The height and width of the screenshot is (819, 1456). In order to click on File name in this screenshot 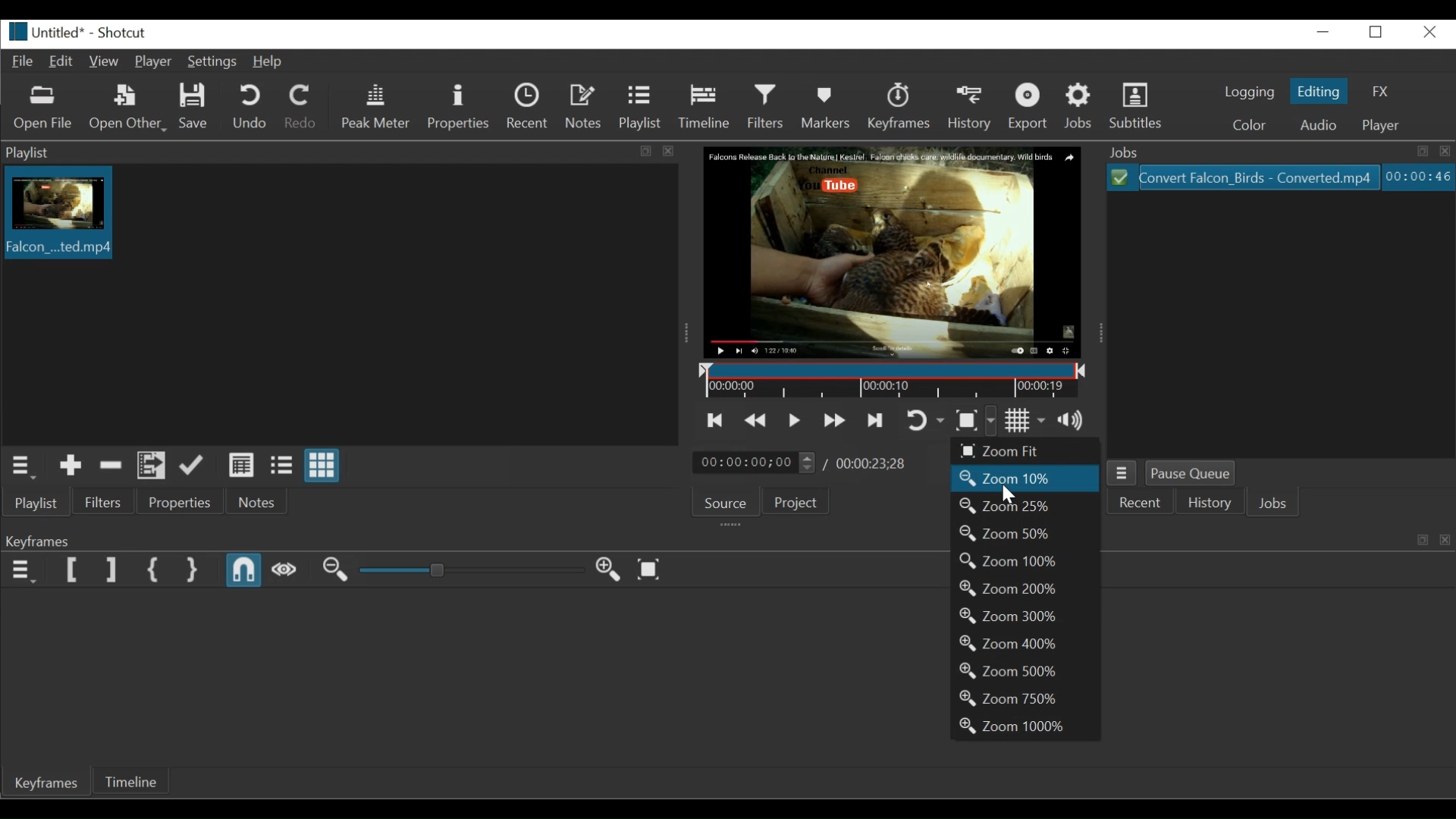, I will do `click(43, 33)`.